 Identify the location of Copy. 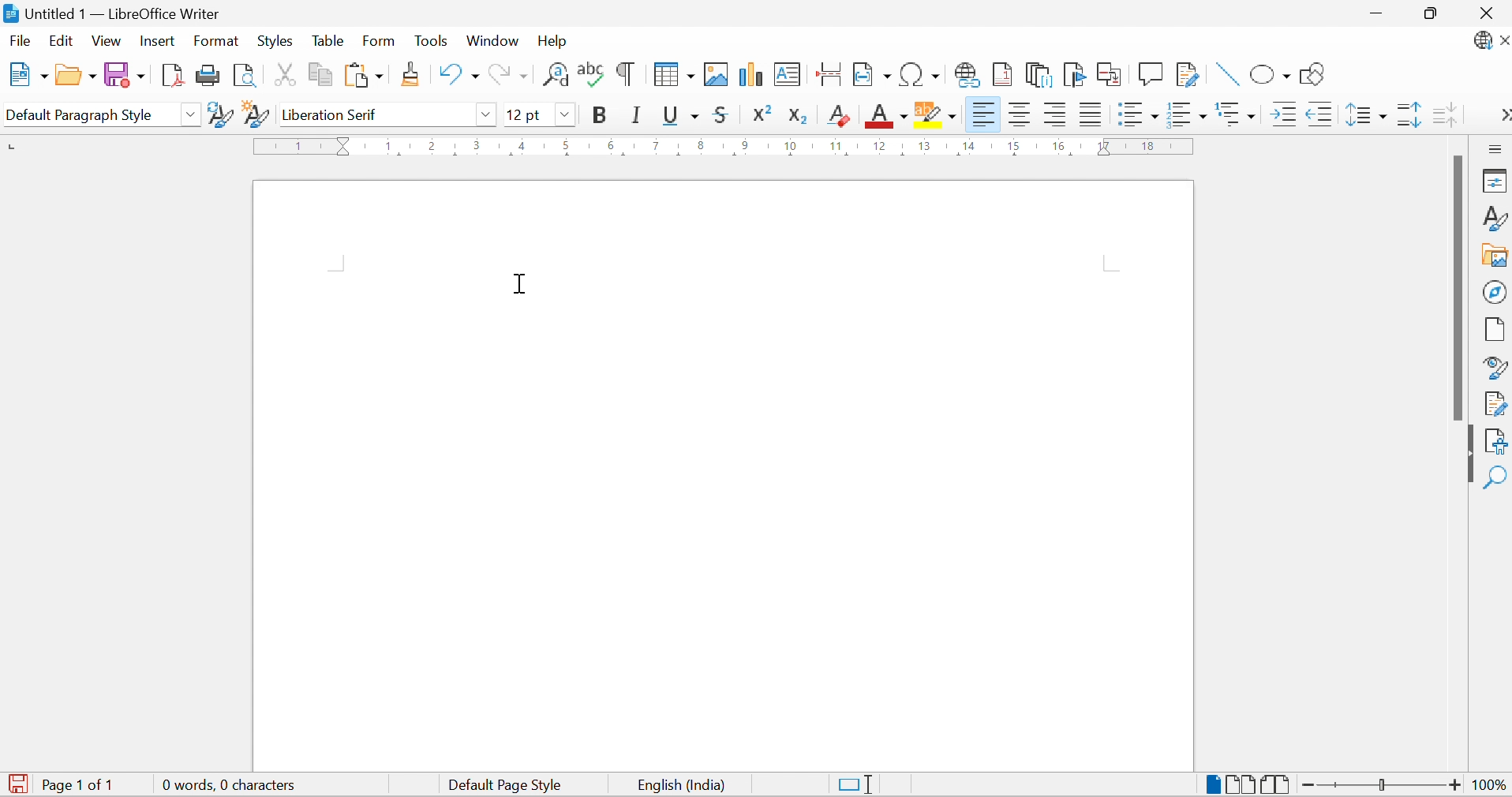
(318, 75).